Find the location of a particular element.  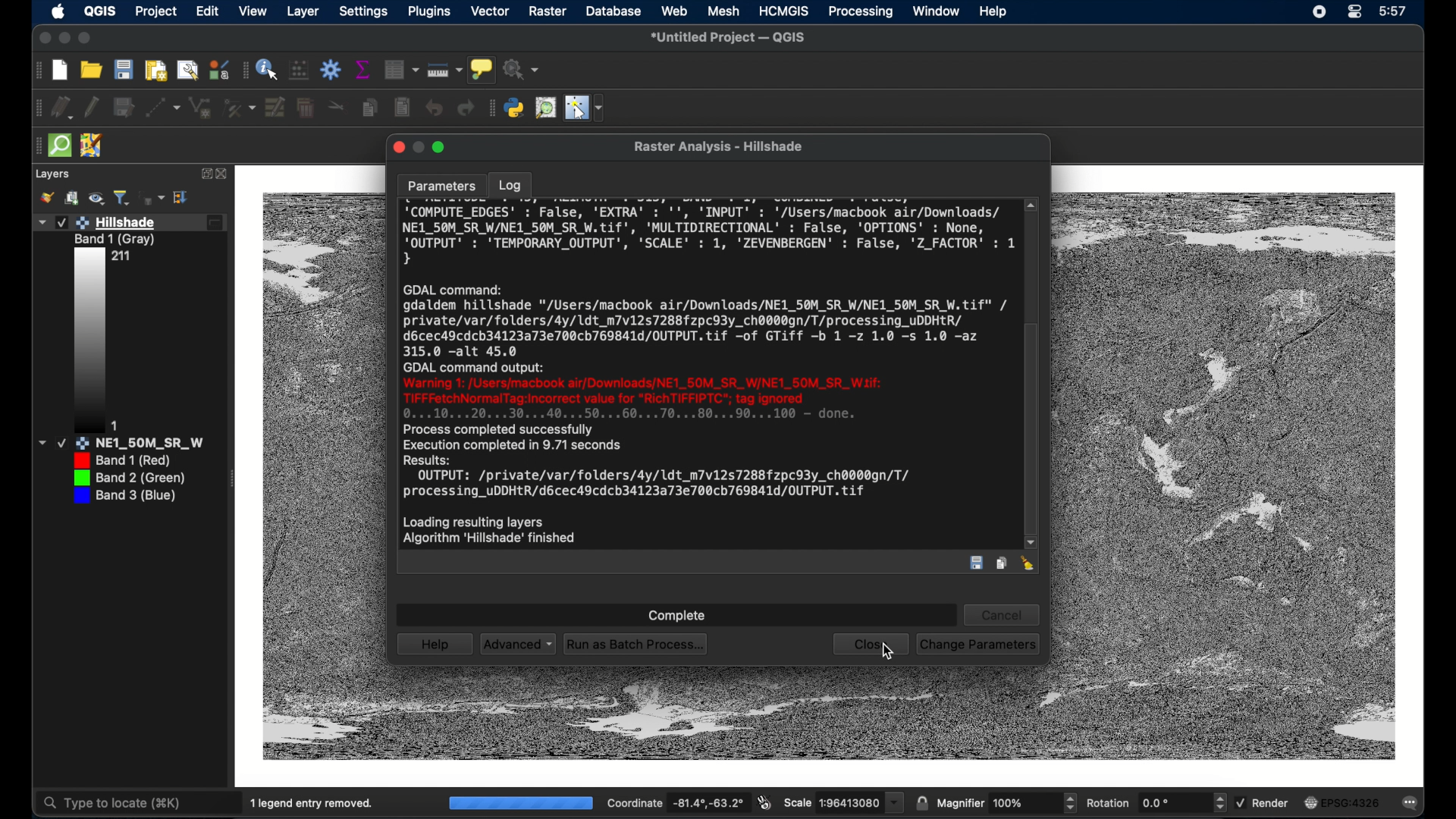

drag handle is located at coordinates (36, 71).